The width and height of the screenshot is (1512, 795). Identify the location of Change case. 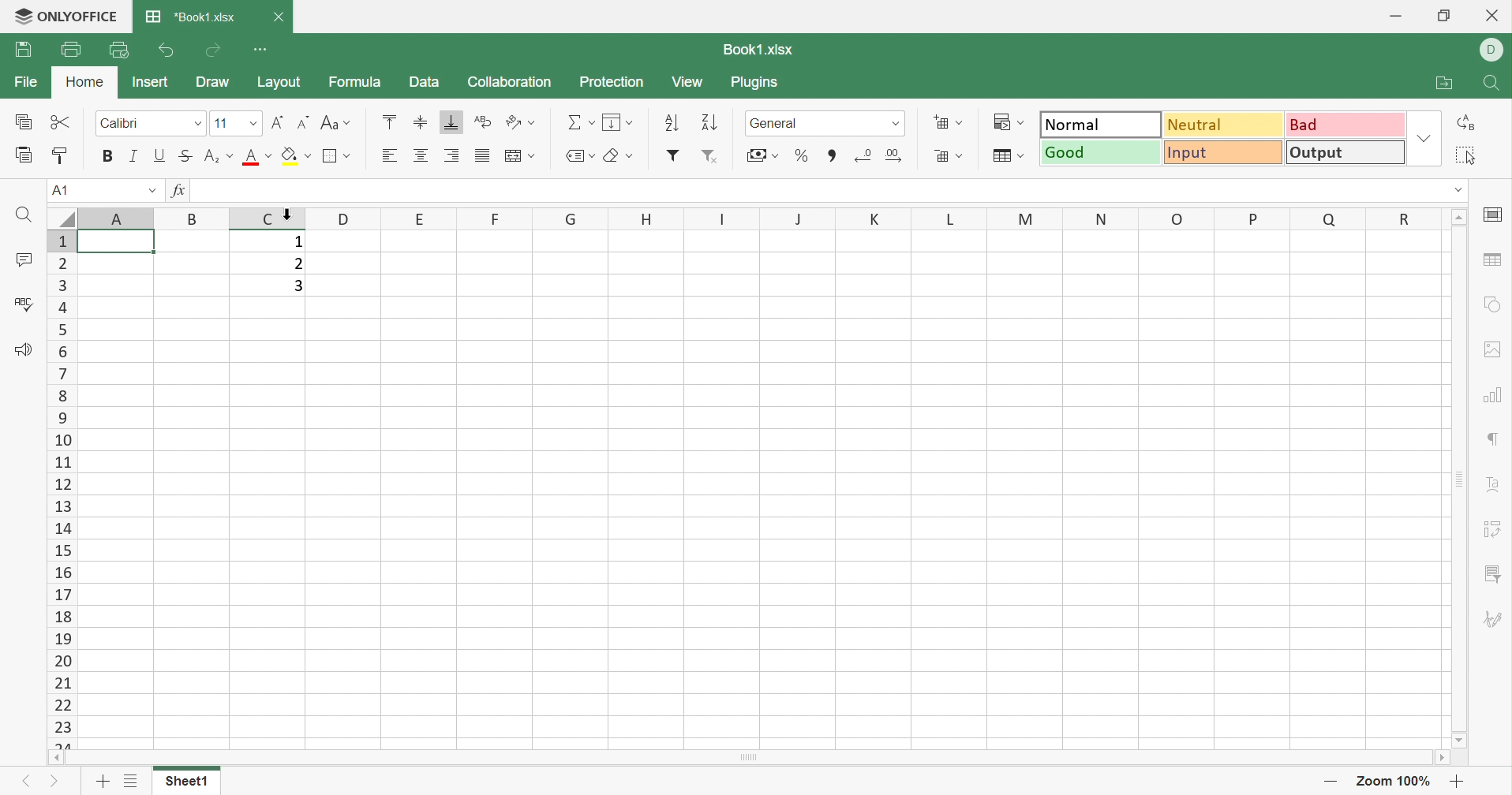
(327, 123).